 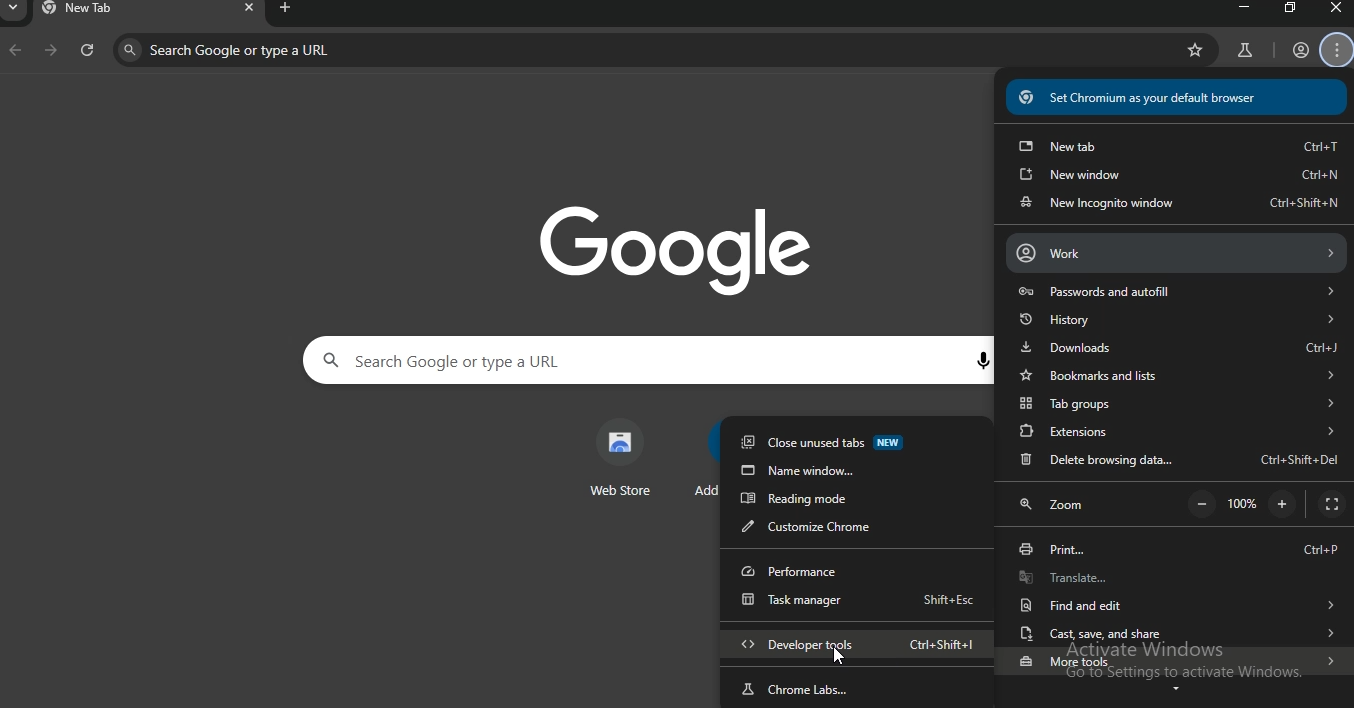 What do you see at coordinates (1178, 348) in the screenshot?
I see `downloads` at bounding box center [1178, 348].